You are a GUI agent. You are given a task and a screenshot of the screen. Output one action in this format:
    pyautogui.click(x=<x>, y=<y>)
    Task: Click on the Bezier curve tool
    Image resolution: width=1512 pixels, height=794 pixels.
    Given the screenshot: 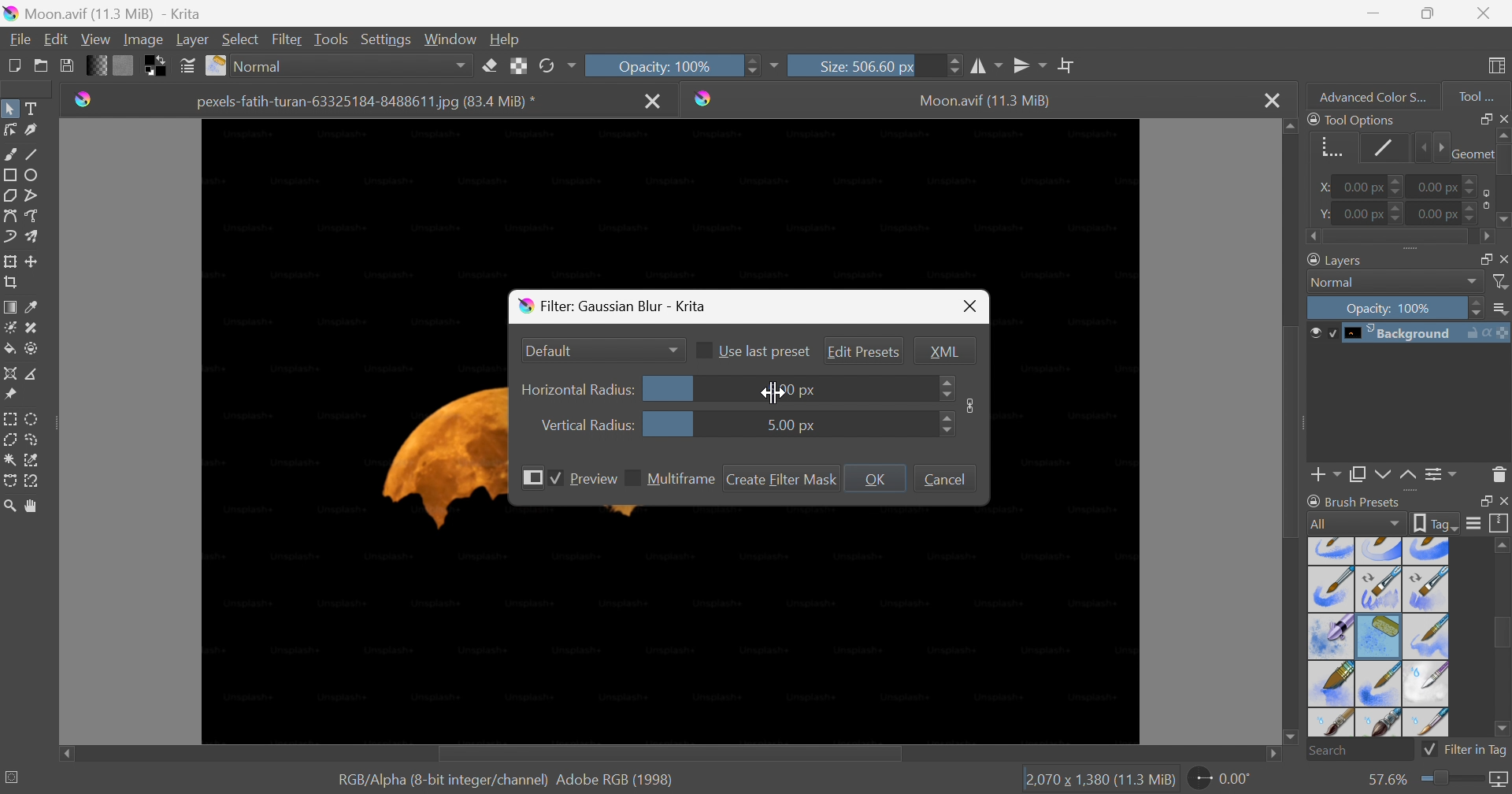 What is the action you would take?
    pyautogui.click(x=9, y=216)
    